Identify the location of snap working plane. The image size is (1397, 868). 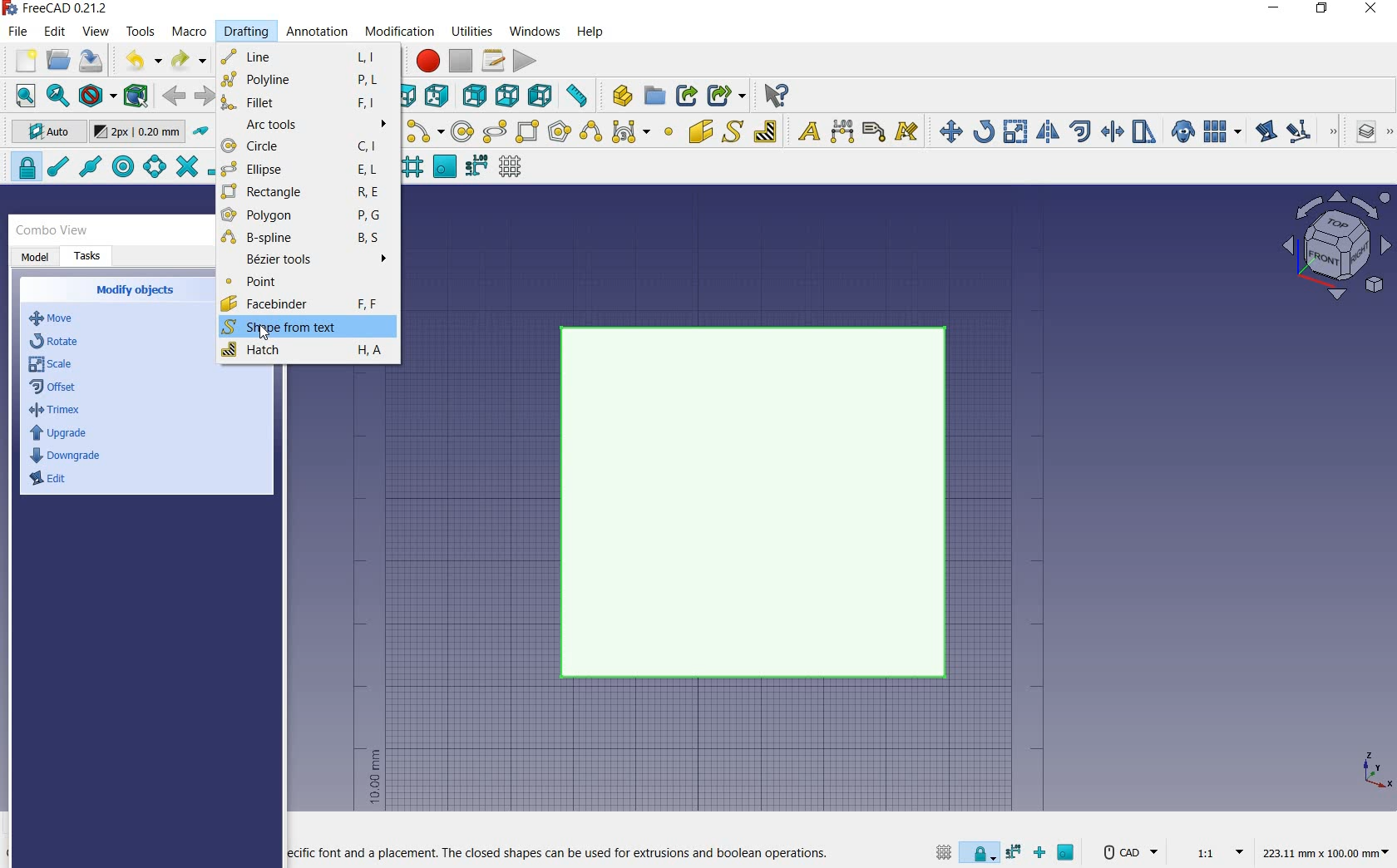
(1068, 855).